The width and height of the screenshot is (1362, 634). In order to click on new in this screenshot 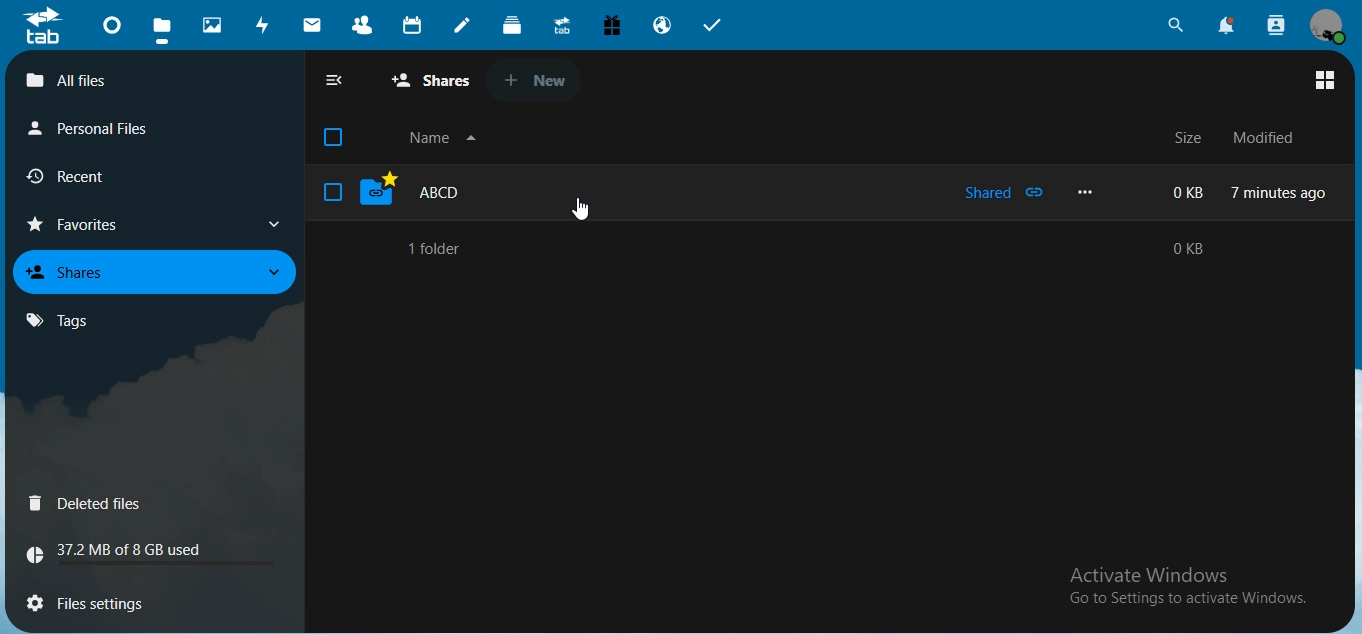, I will do `click(540, 77)`.